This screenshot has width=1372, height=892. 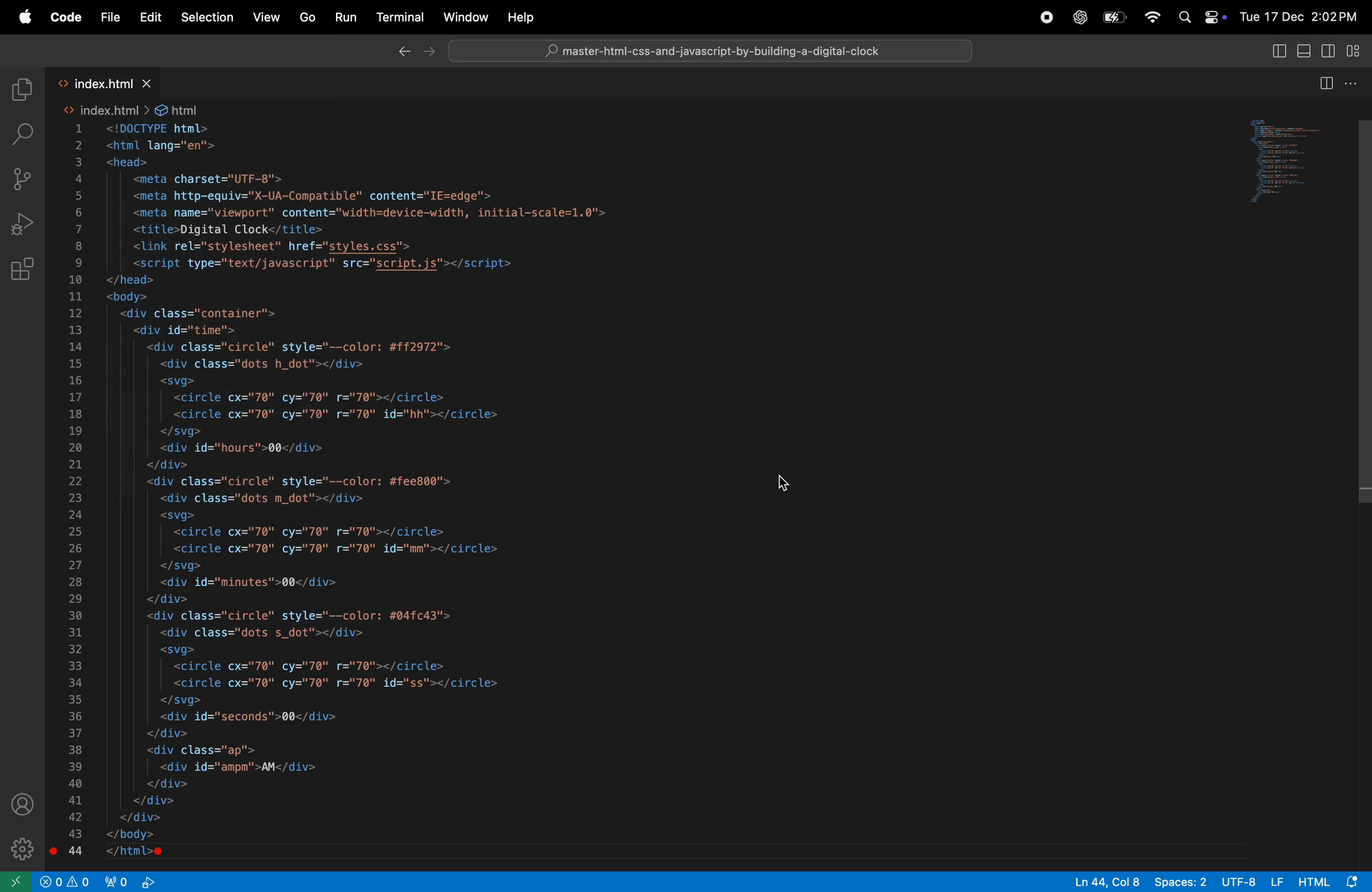 What do you see at coordinates (704, 52) in the screenshot?
I see `@ index.html — master-htmi-css-and-javascript-by-building-a-digital-clock` at bounding box center [704, 52].